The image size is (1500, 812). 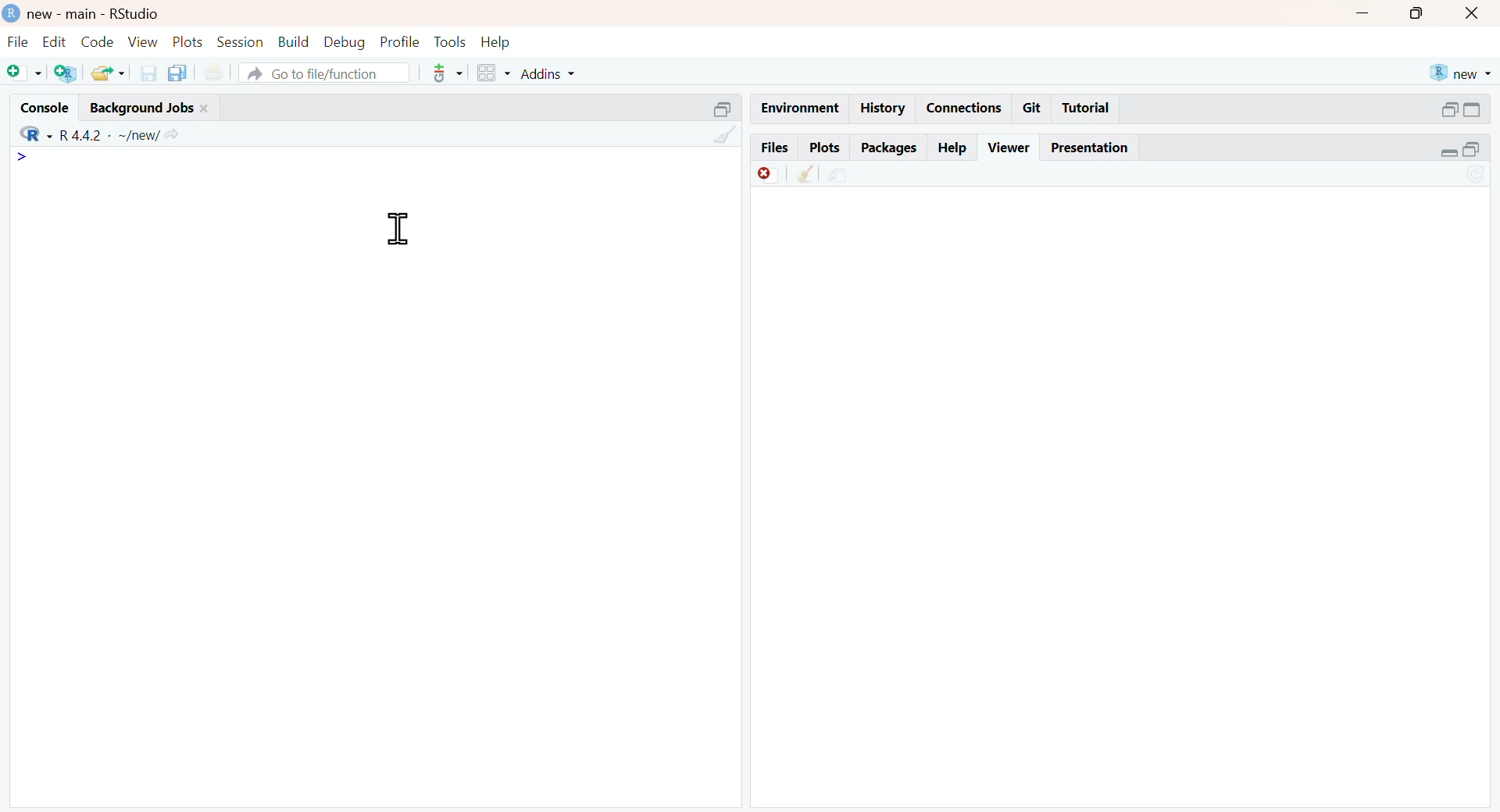 I want to click on text cursor, so click(x=395, y=229).